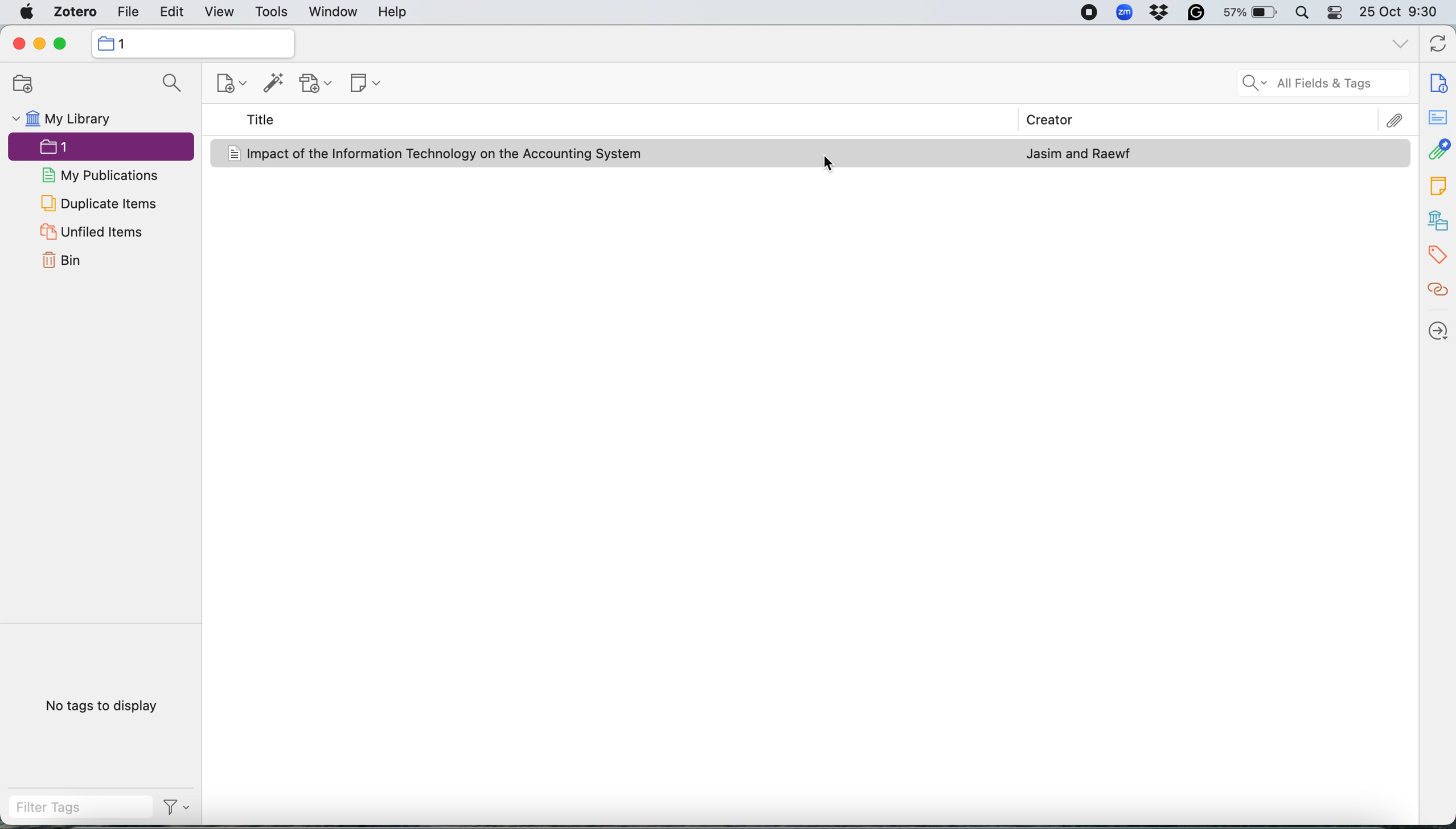 The width and height of the screenshot is (1456, 829). What do you see at coordinates (1302, 13) in the screenshot?
I see `spotlight search` at bounding box center [1302, 13].